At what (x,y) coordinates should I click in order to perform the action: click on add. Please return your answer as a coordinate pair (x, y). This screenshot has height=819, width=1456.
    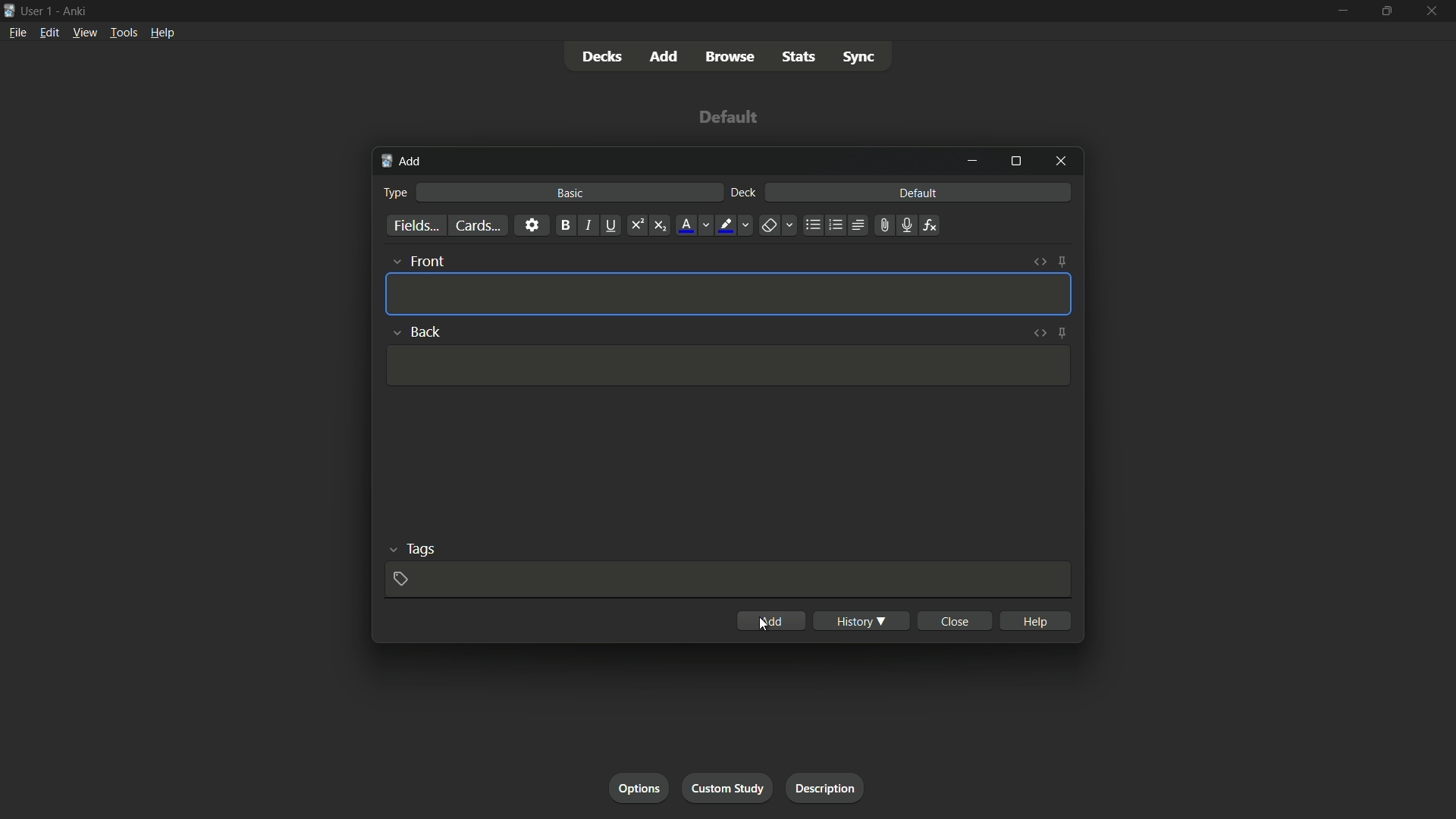
    Looking at the image, I should click on (665, 55).